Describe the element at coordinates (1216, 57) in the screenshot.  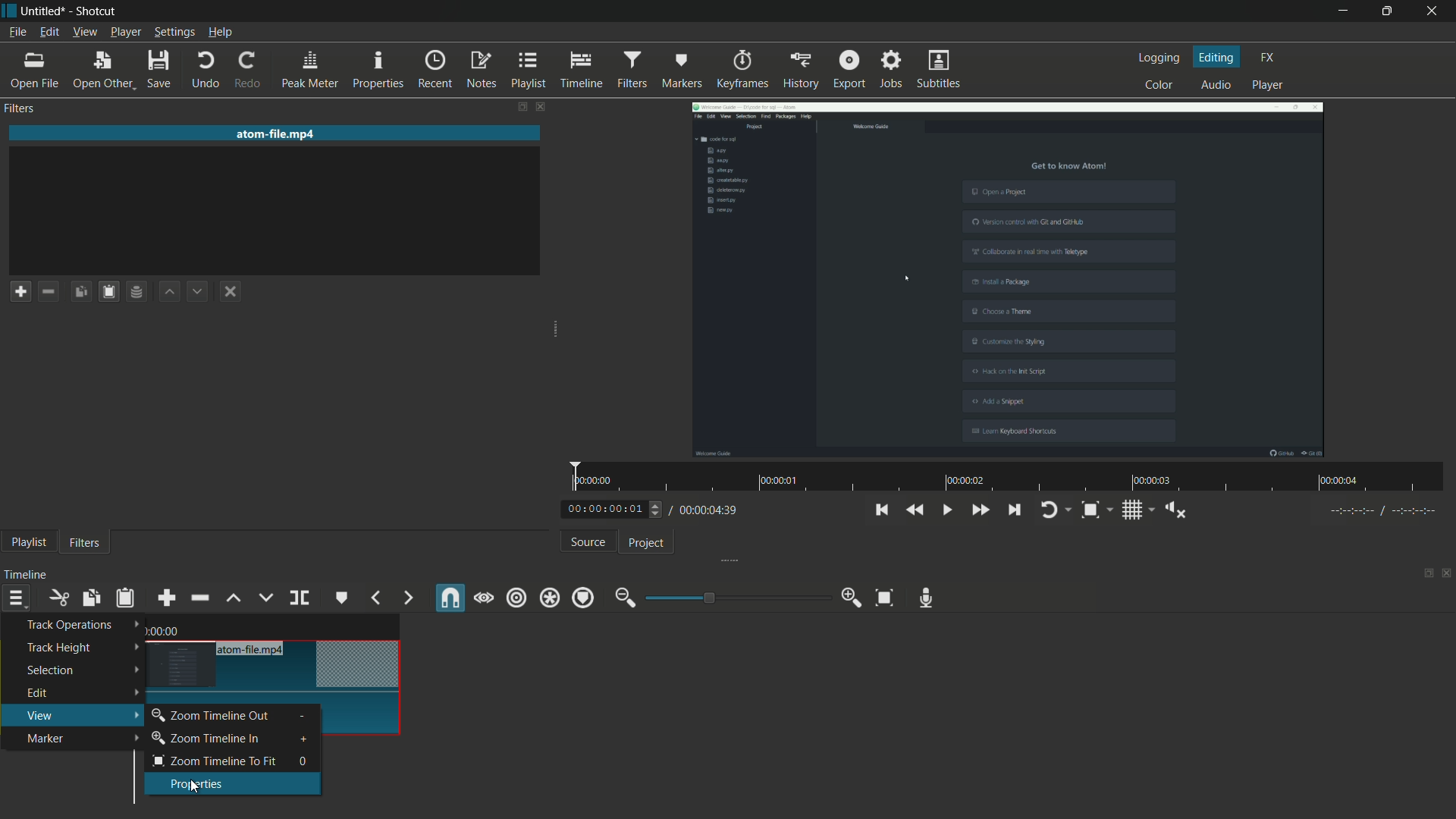
I see `editing` at that location.